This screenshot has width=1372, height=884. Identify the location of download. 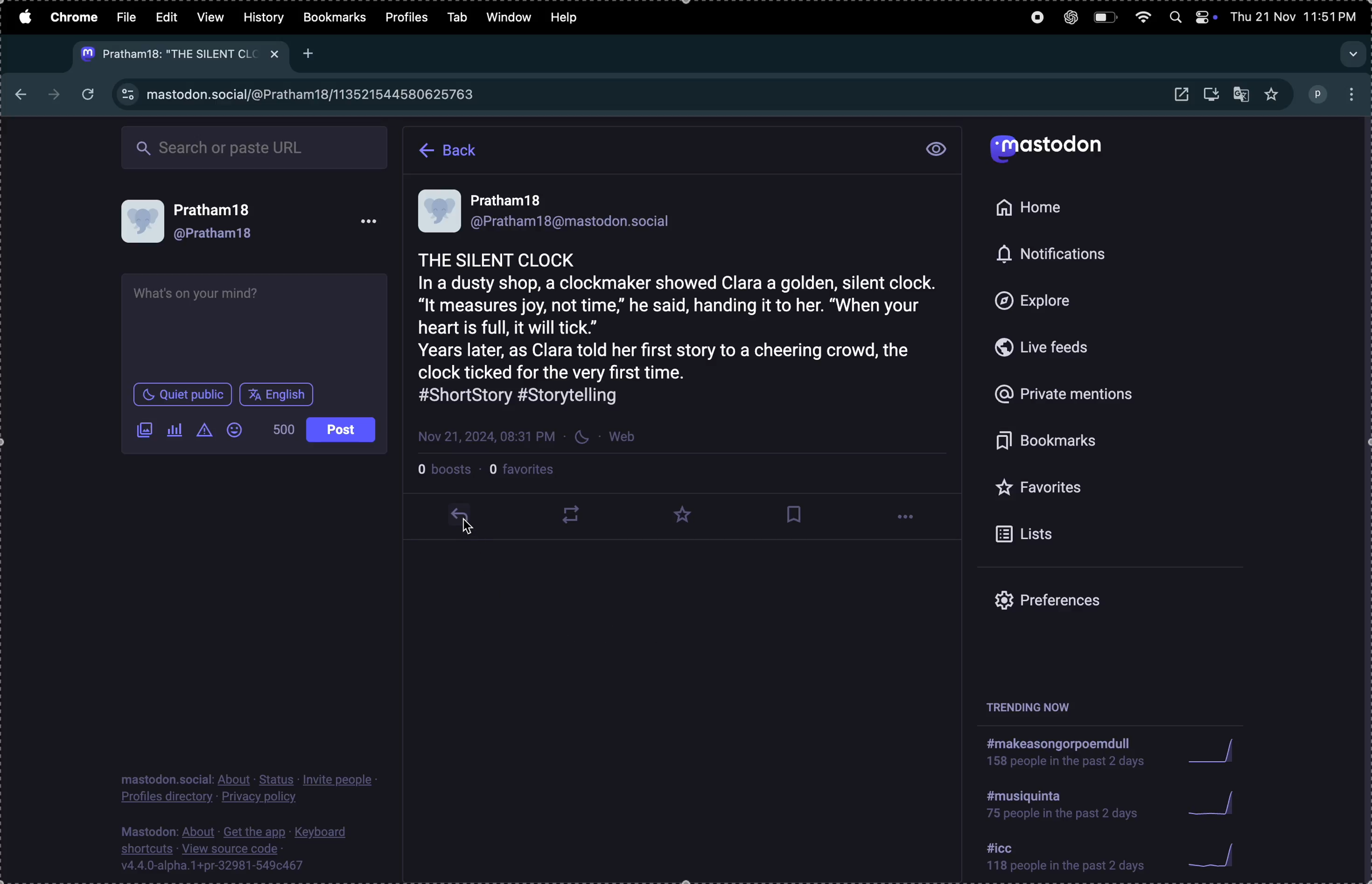
(1211, 94).